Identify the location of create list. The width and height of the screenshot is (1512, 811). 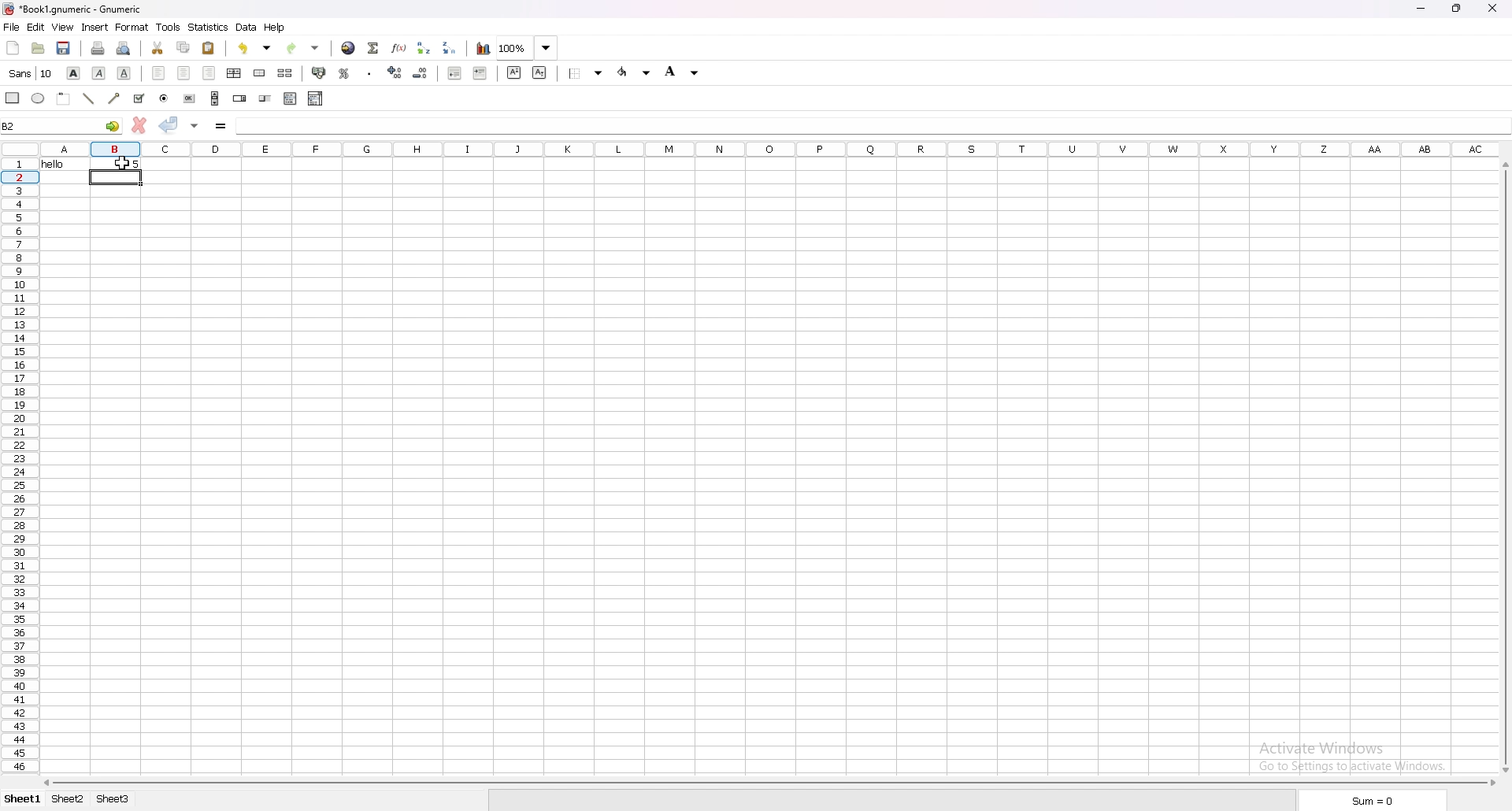
(291, 98).